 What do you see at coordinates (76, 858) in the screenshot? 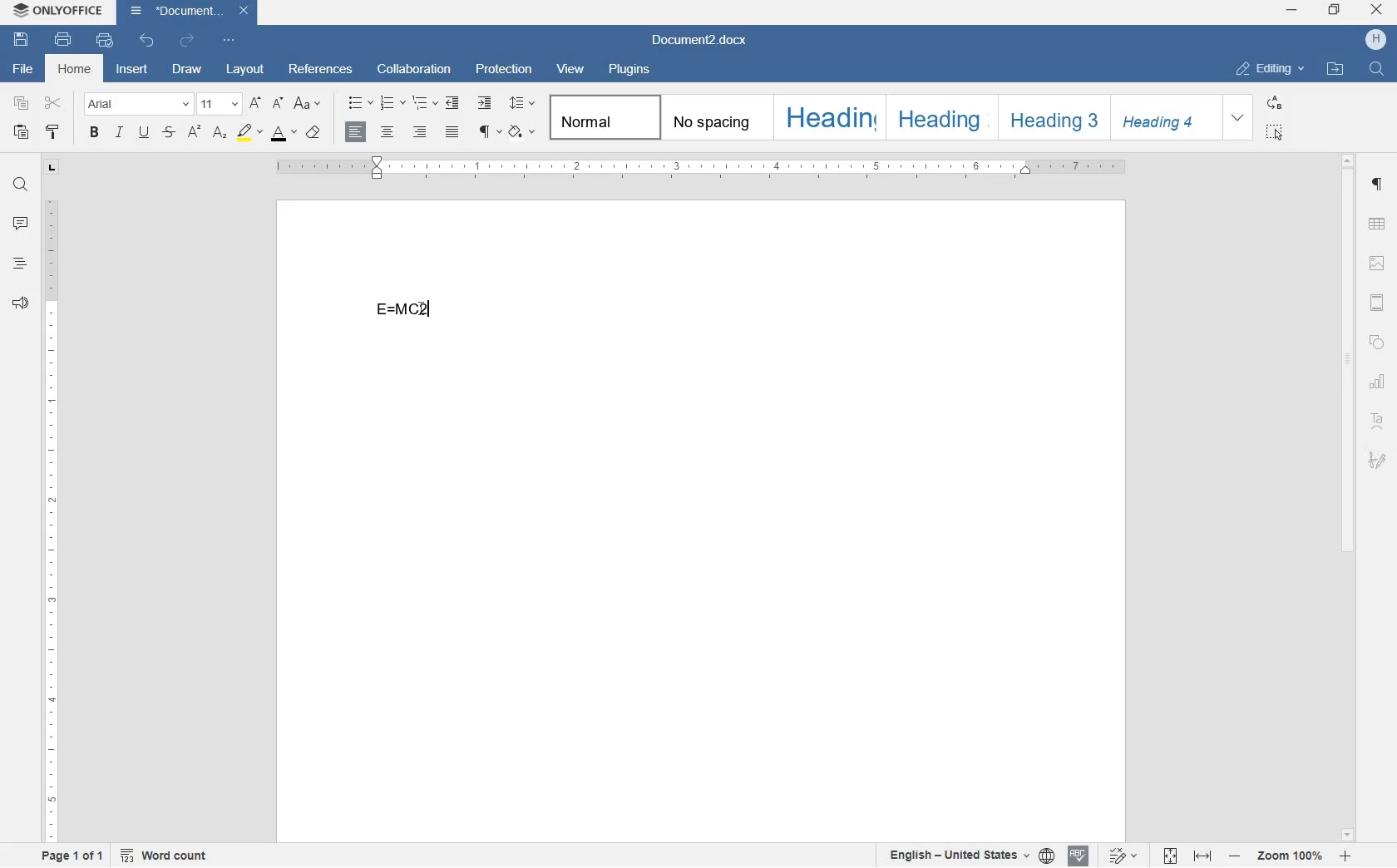
I see `page 1 of 1` at bounding box center [76, 858].